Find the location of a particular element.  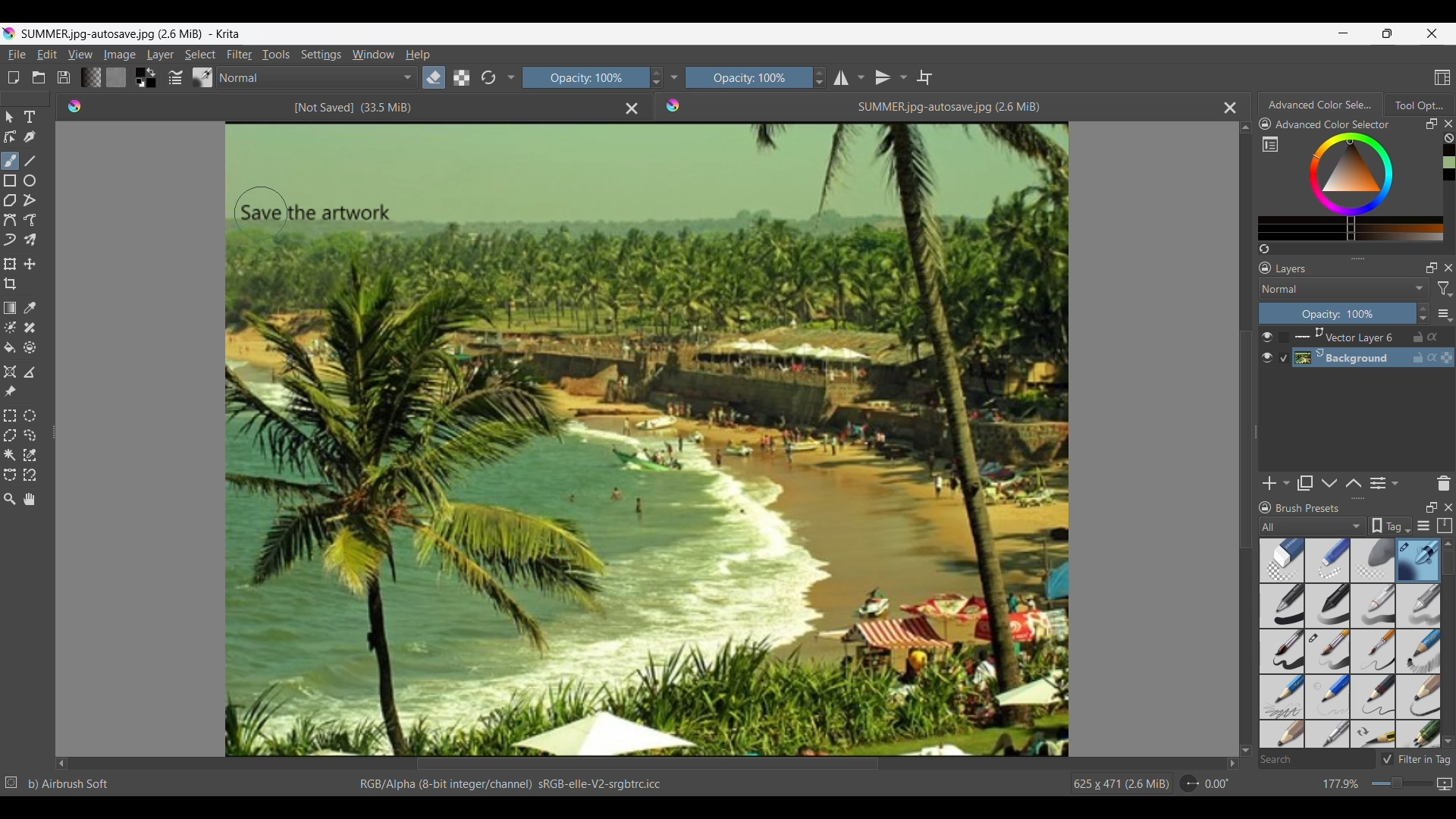

Close is located at coordinates (632, 109).